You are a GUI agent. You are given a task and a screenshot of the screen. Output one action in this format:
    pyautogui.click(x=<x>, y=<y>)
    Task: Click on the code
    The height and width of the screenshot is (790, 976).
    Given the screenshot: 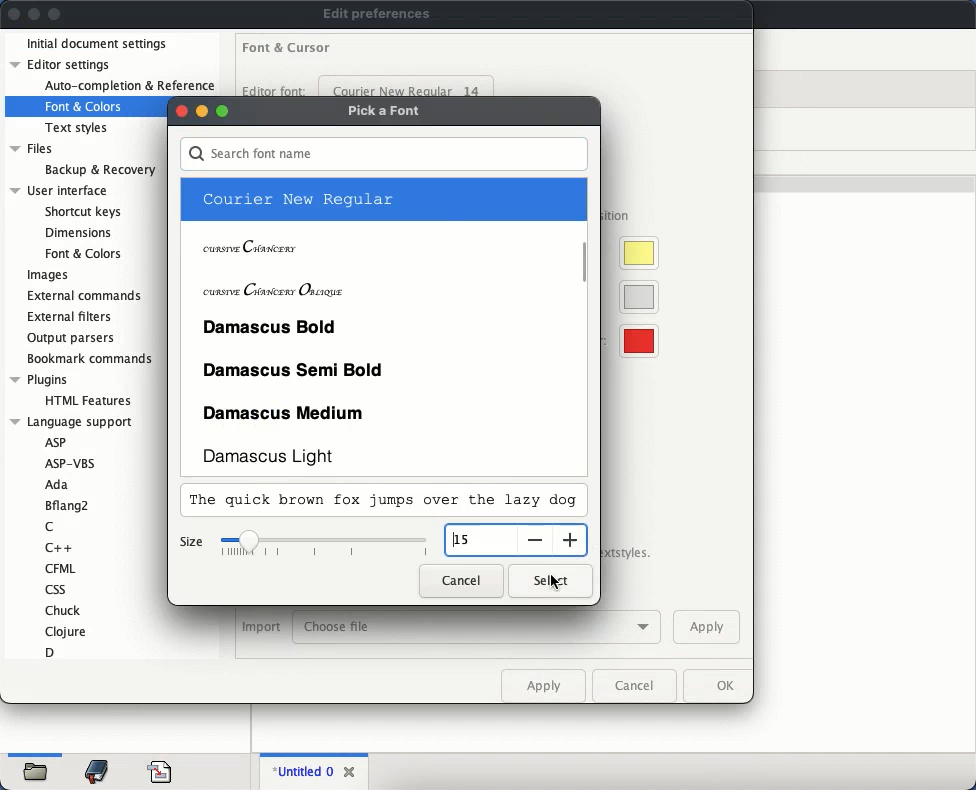 What is the action you would take?
    pyautogui.click(x=160, y=770)
    